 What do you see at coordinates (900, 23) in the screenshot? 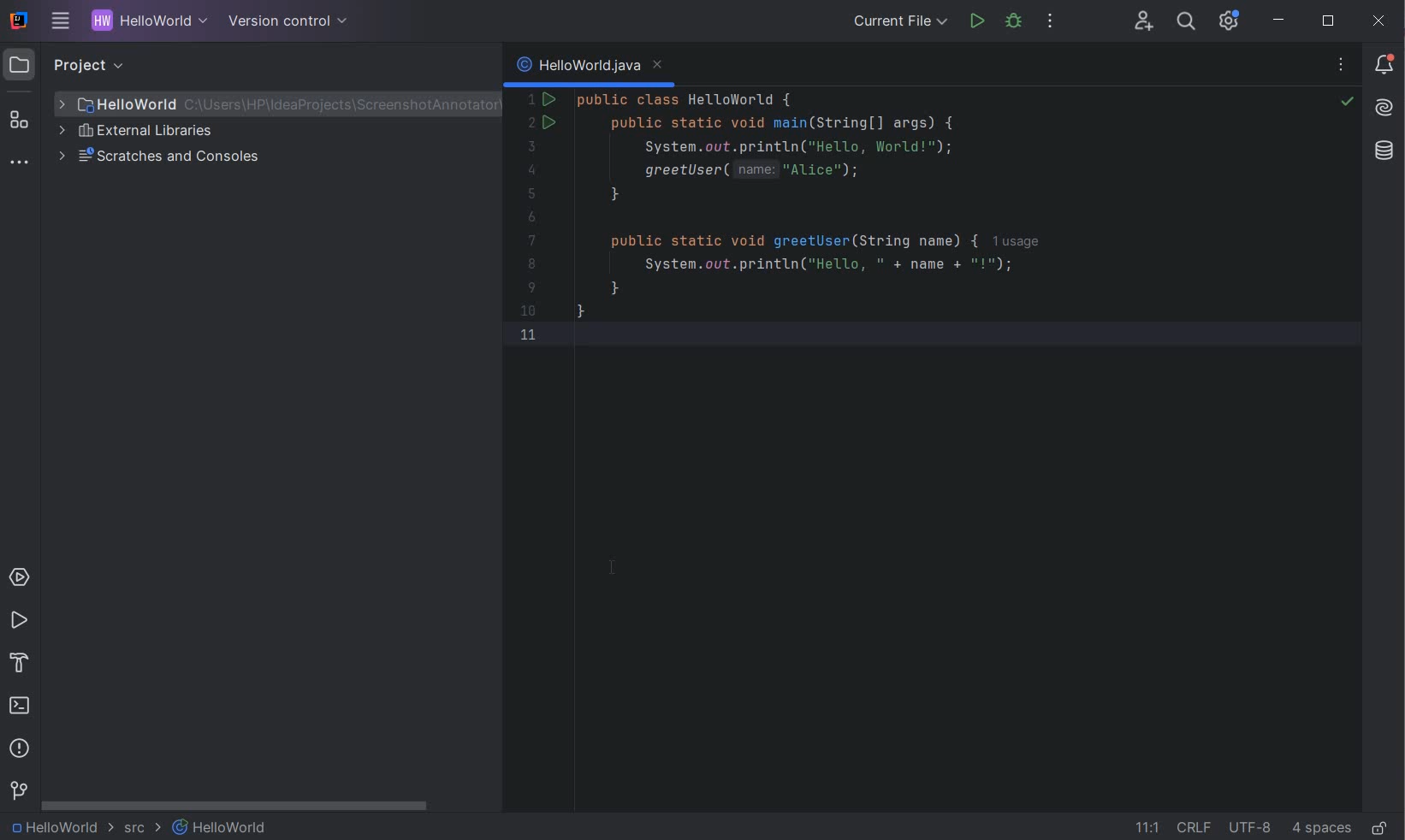
I see `CURRENT FILE` at bounding box center [900, 23].